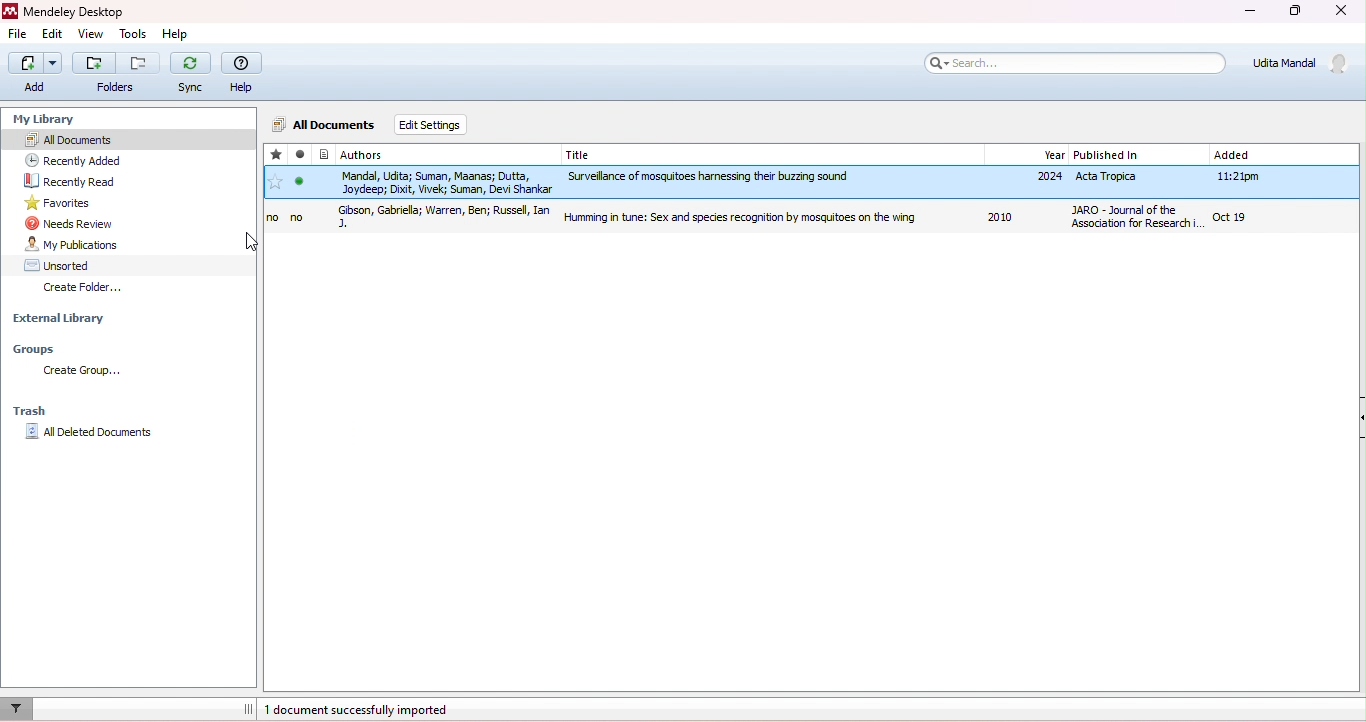  I want to click on help, so click(243, 73).